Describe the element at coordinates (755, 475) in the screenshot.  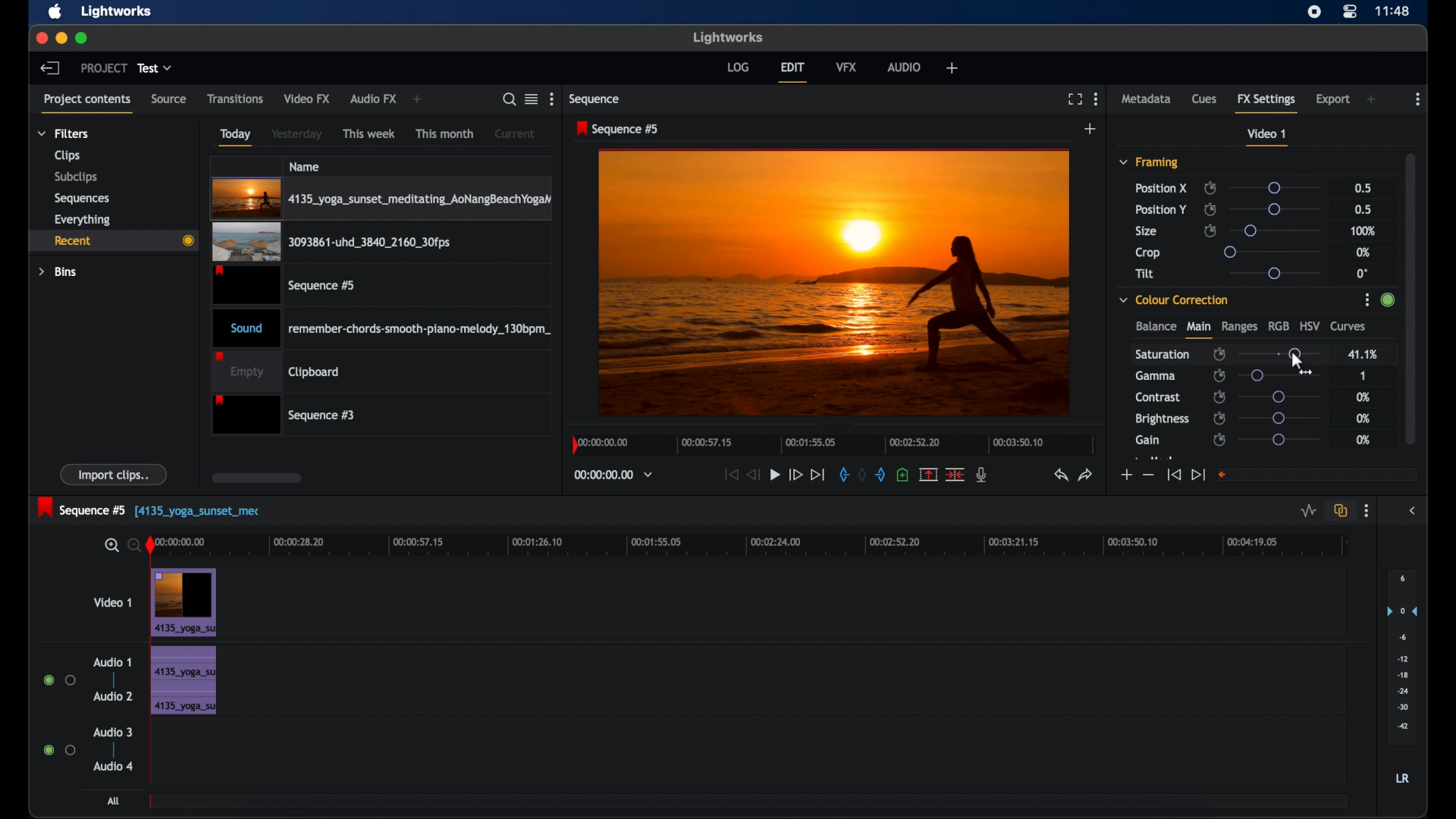
I see `rewind` at that location.